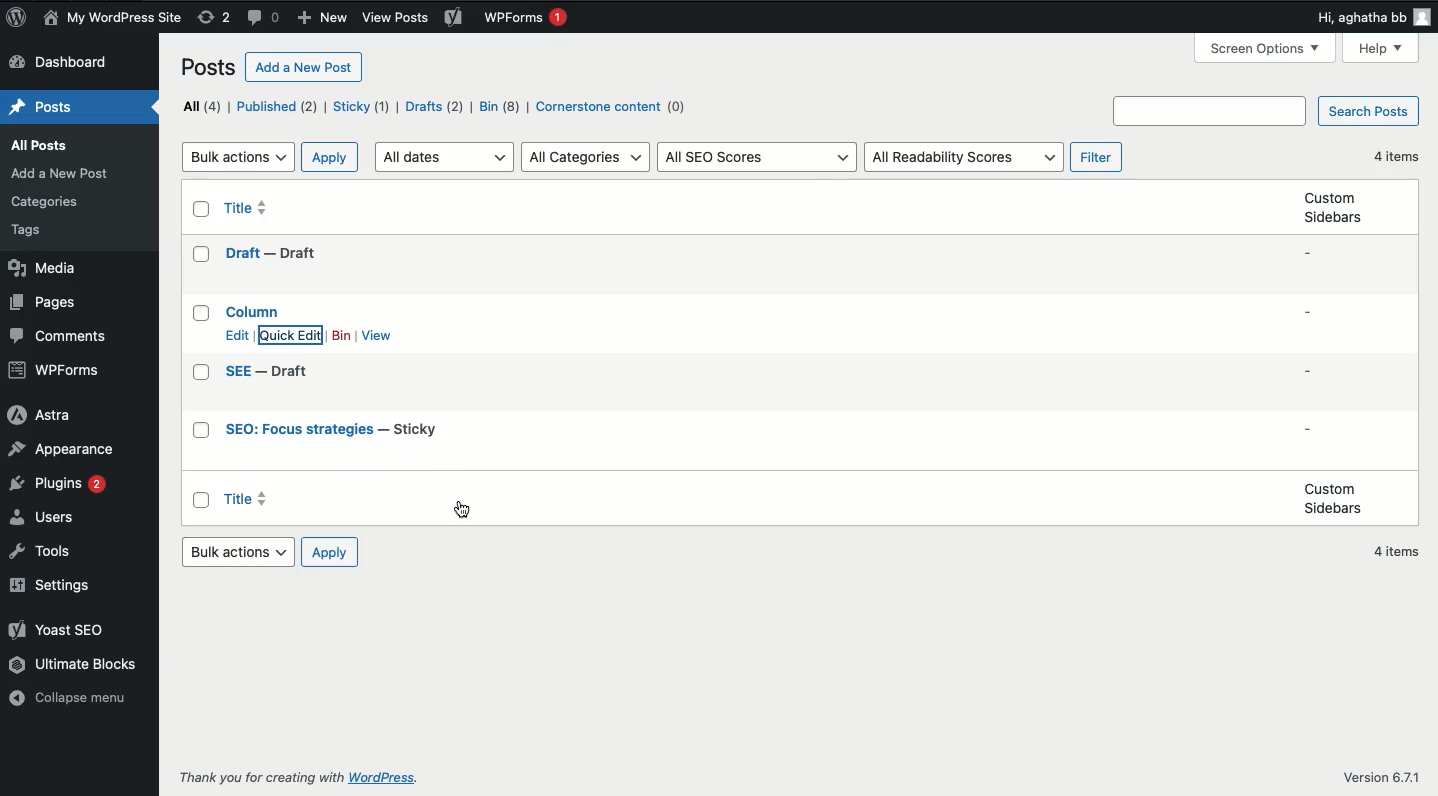  Describe the element at coordinates (377, 336) in the screenshot. I see `View` at that location.